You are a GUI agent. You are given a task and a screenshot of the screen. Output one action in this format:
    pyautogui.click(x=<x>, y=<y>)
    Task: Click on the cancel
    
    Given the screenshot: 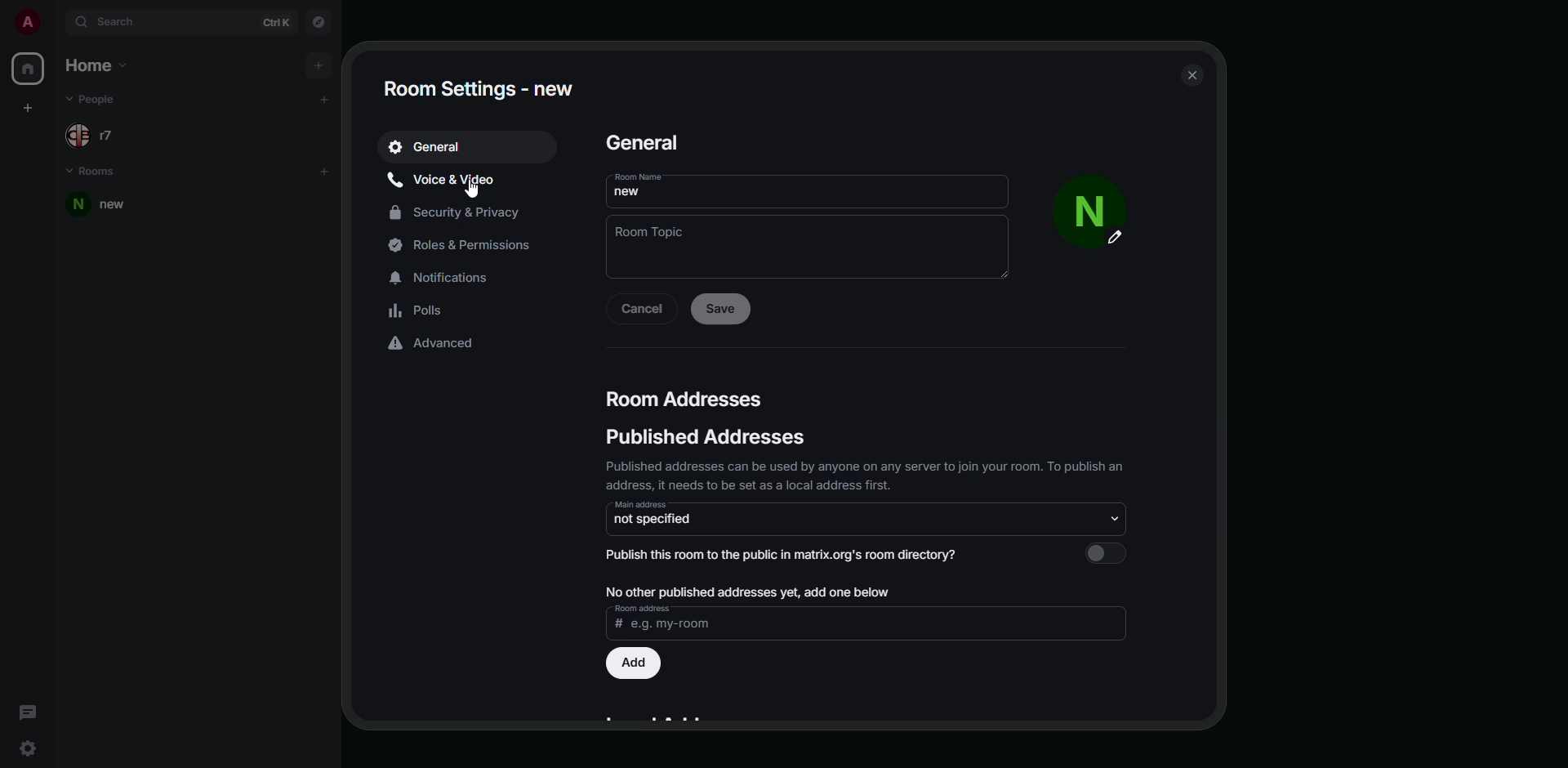 What is the action you would take?
    pyautogui.click(x=643, y=310)
    